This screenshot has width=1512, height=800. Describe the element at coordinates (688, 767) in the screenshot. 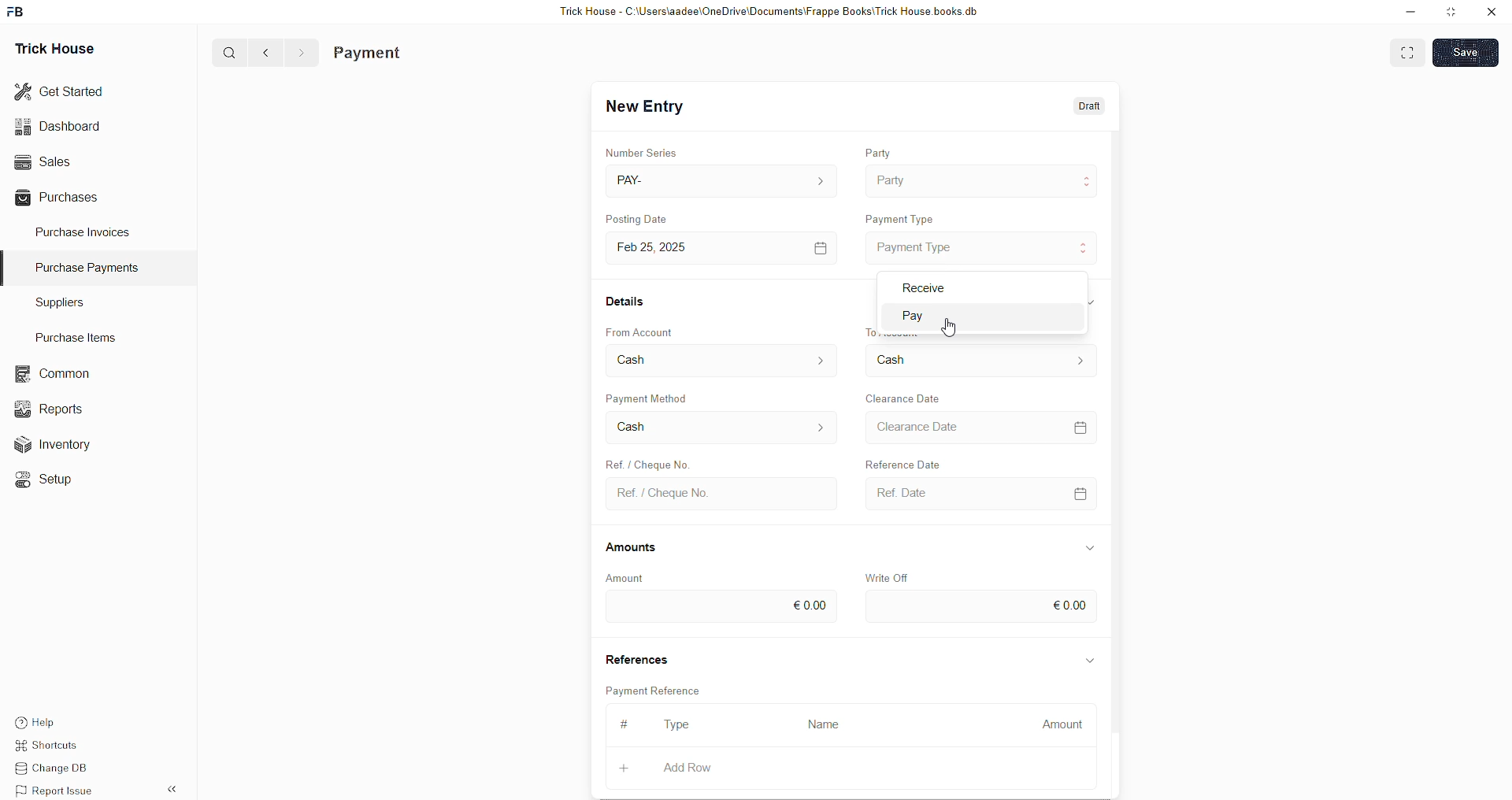

I see `Add Row` at that location.